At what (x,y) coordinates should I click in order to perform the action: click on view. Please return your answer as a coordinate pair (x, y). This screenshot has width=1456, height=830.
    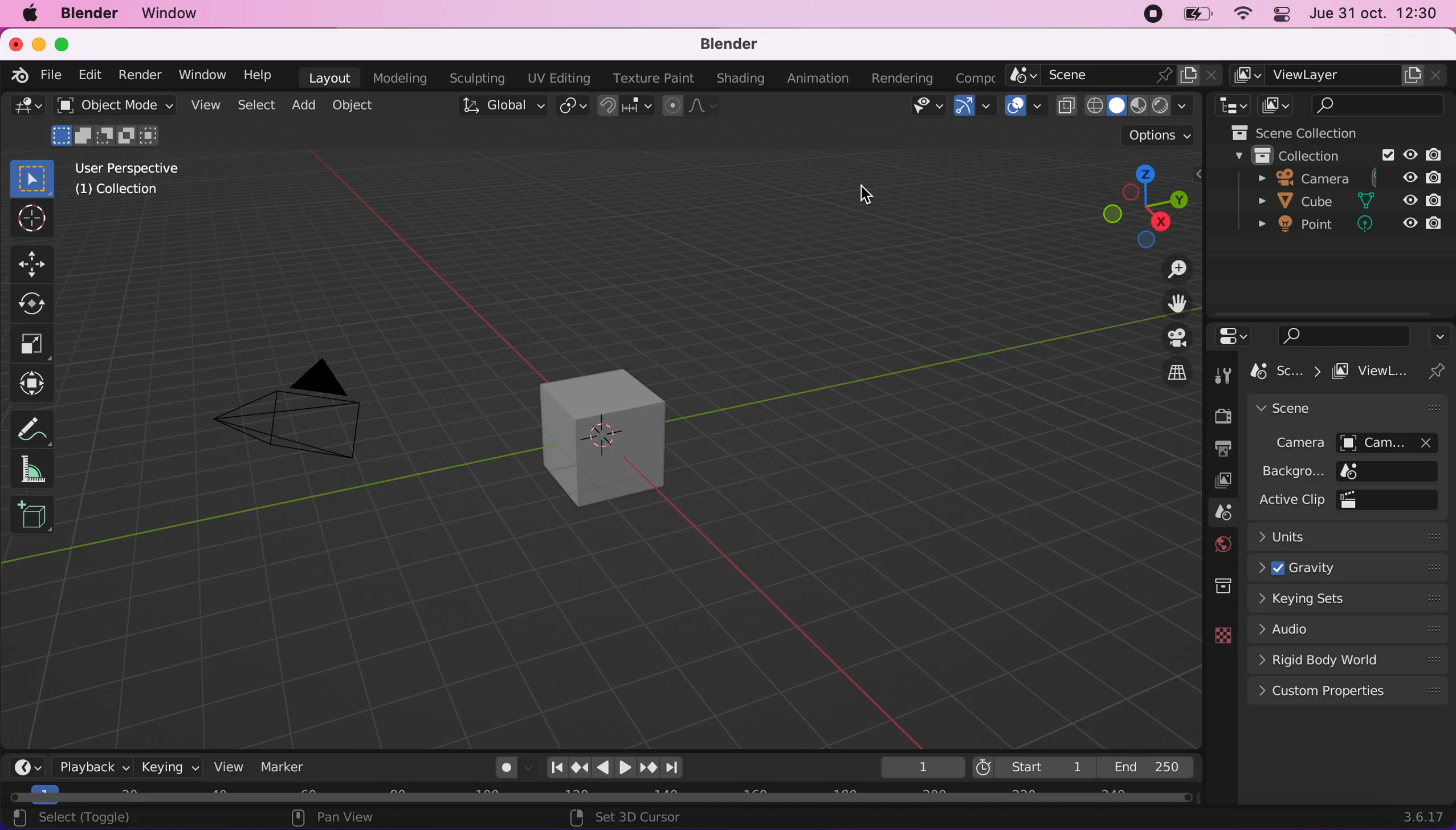
    Looking at the image, I should click on (206, 105).